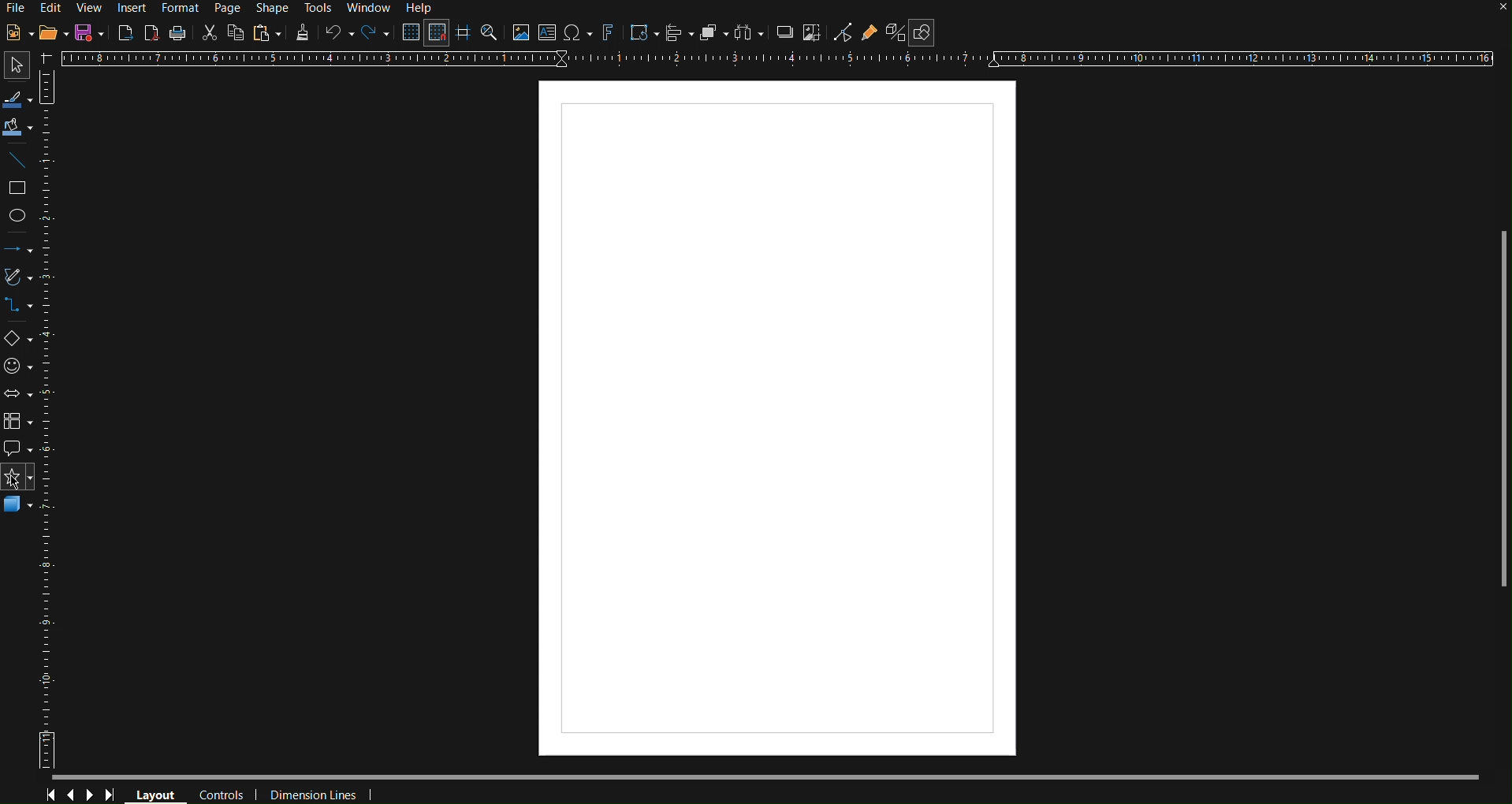 The height and width of the screenshot is (804, 1512). I want to click on Edit, so click(54, 9).